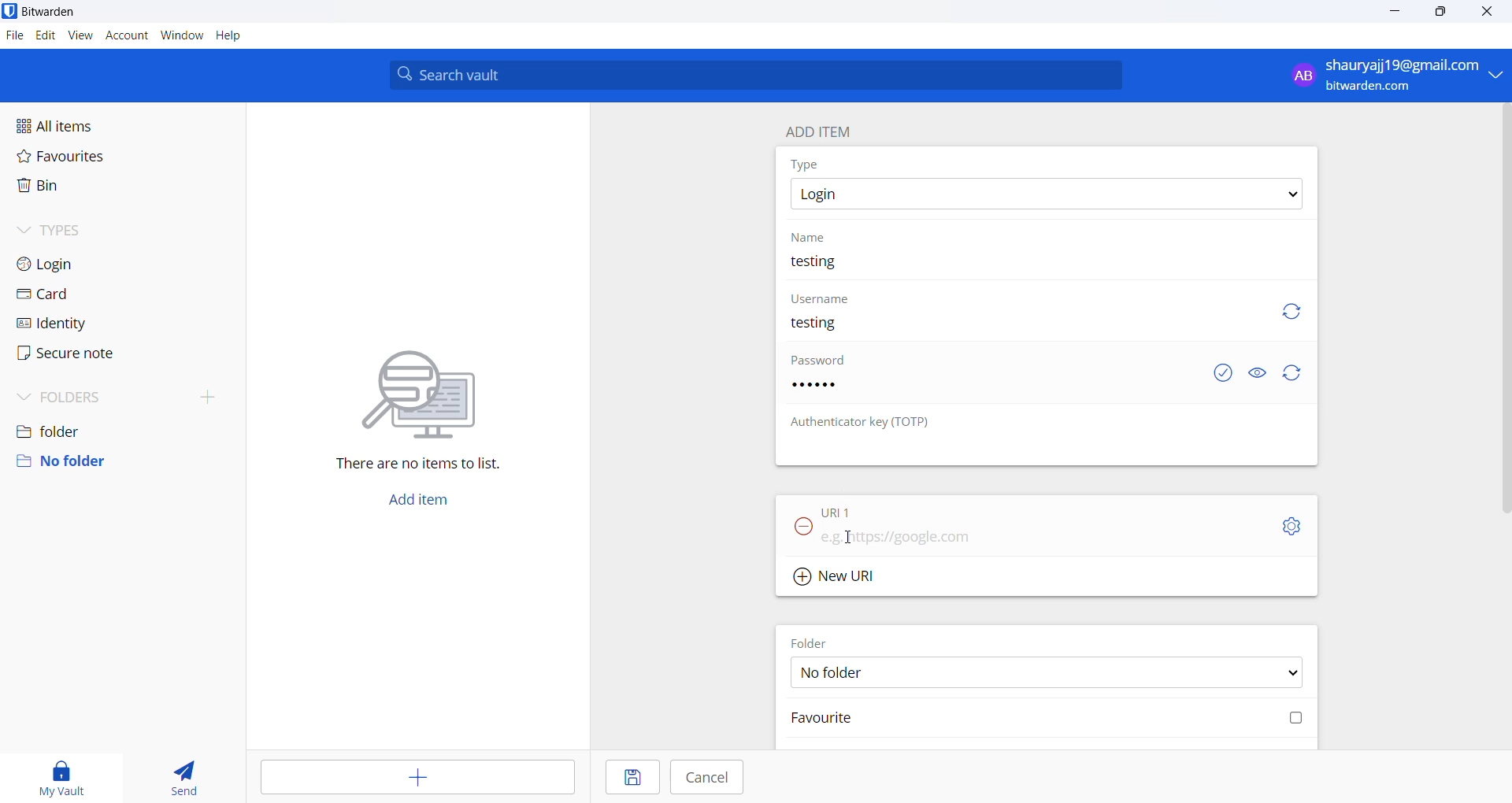 The width and height of the screenshot is (1512, 803). Describe the element at coordinates (1261, 370) in the screenshot. I see `show or hide` at that location.